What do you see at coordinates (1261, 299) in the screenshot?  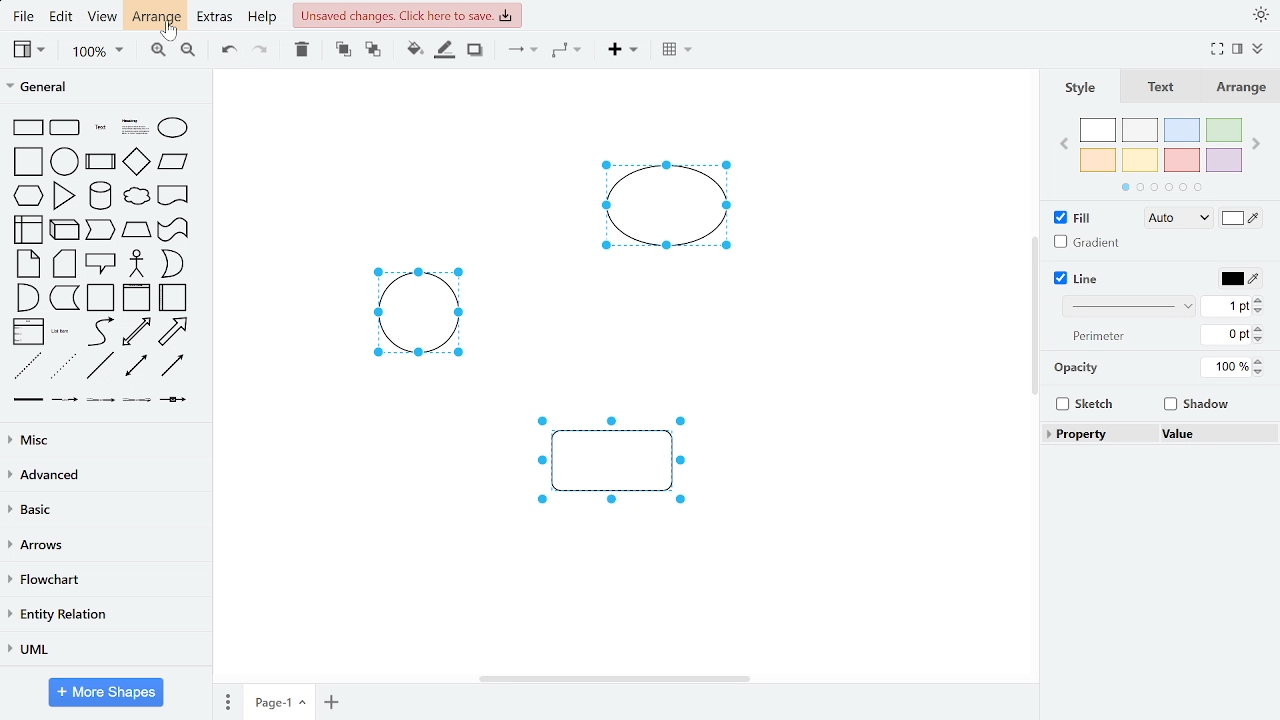 I see `increase line thickness` at bounding box center [1261, 299].